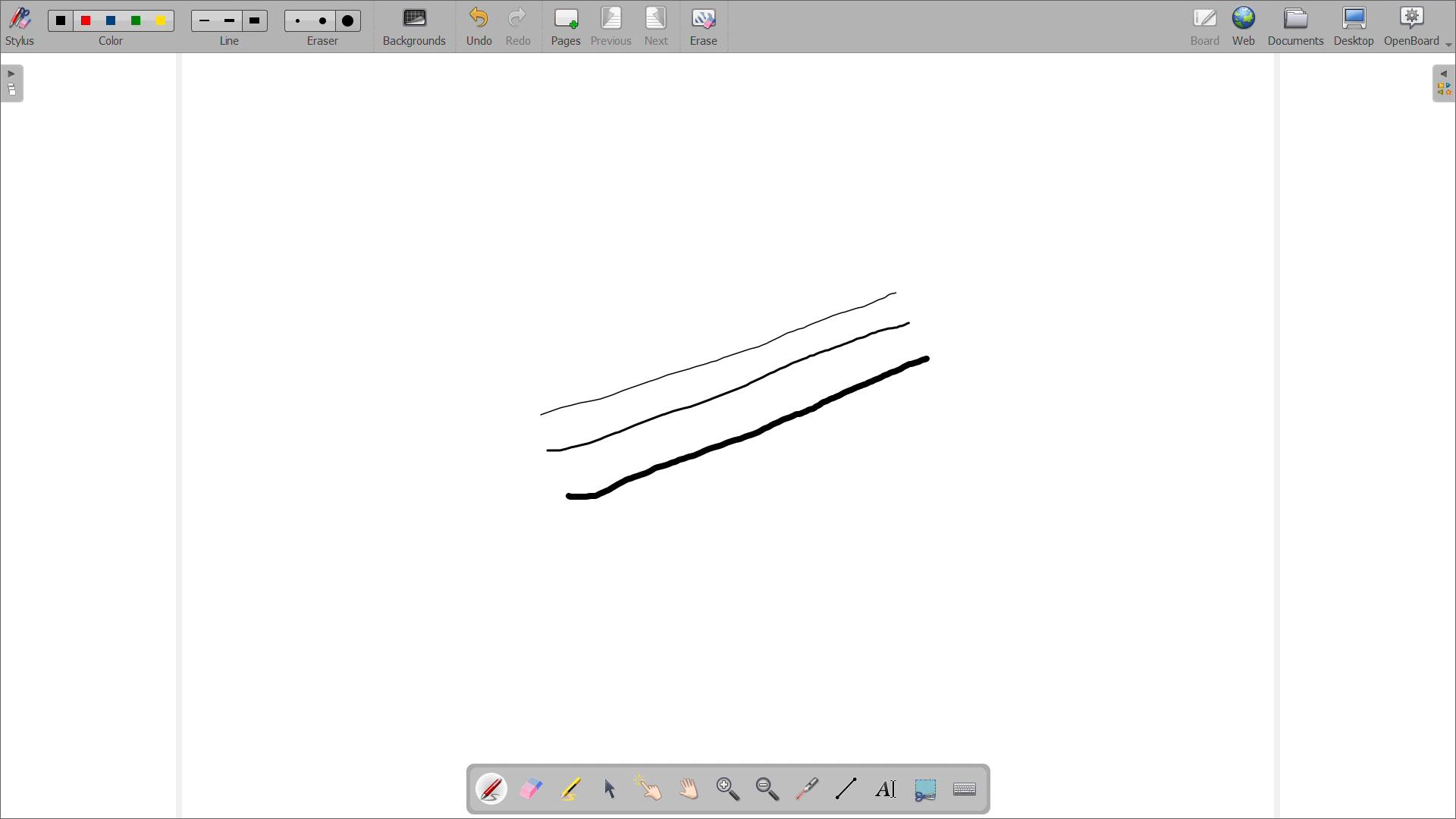 Image resolution: width=1456 pixels, height=819 pixels. I want to click on line width size, so click(255, 20).